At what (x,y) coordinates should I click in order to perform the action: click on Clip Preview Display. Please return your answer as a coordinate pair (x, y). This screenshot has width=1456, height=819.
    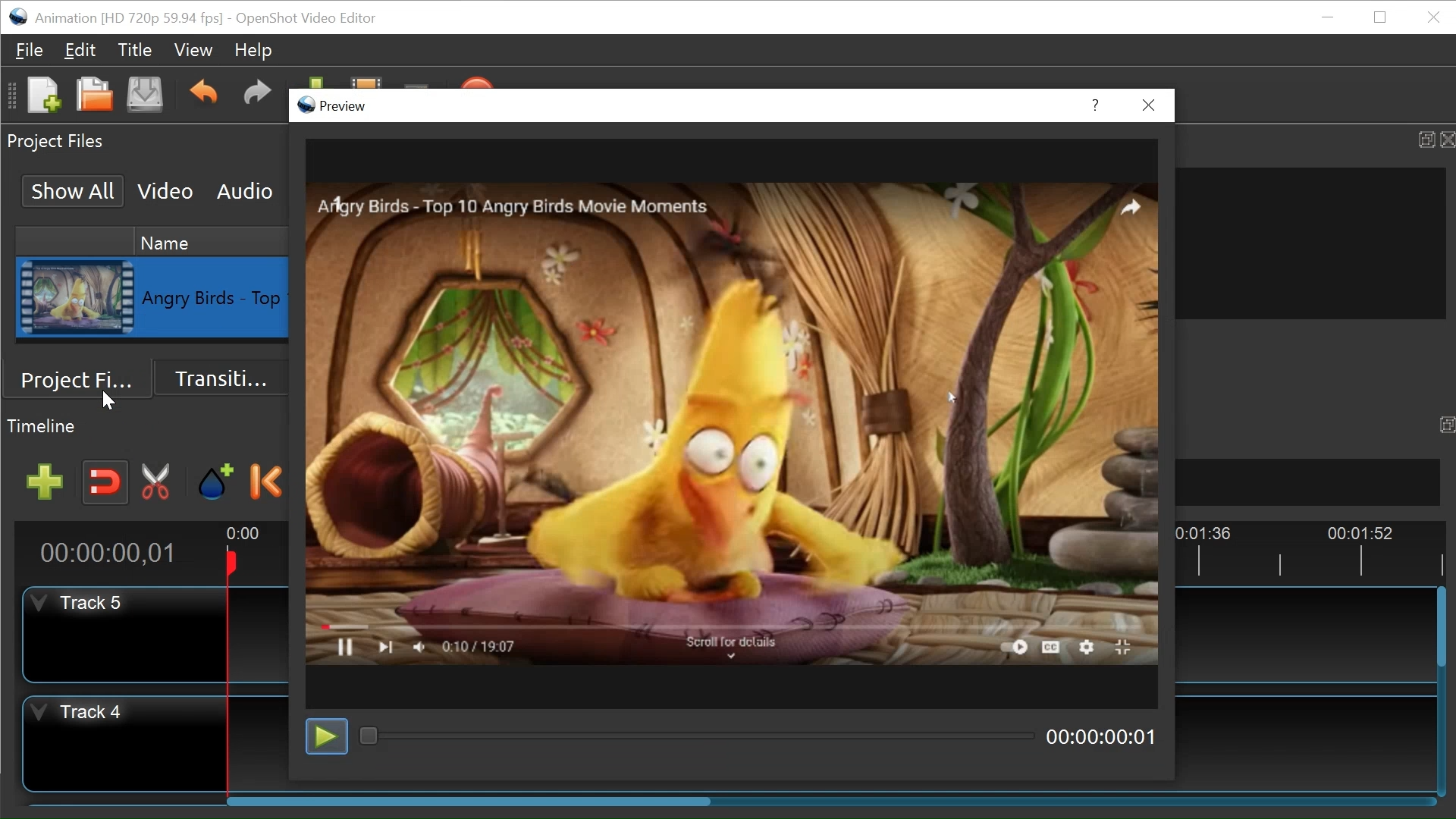
    Looking at the image, I should click on (734, 424).